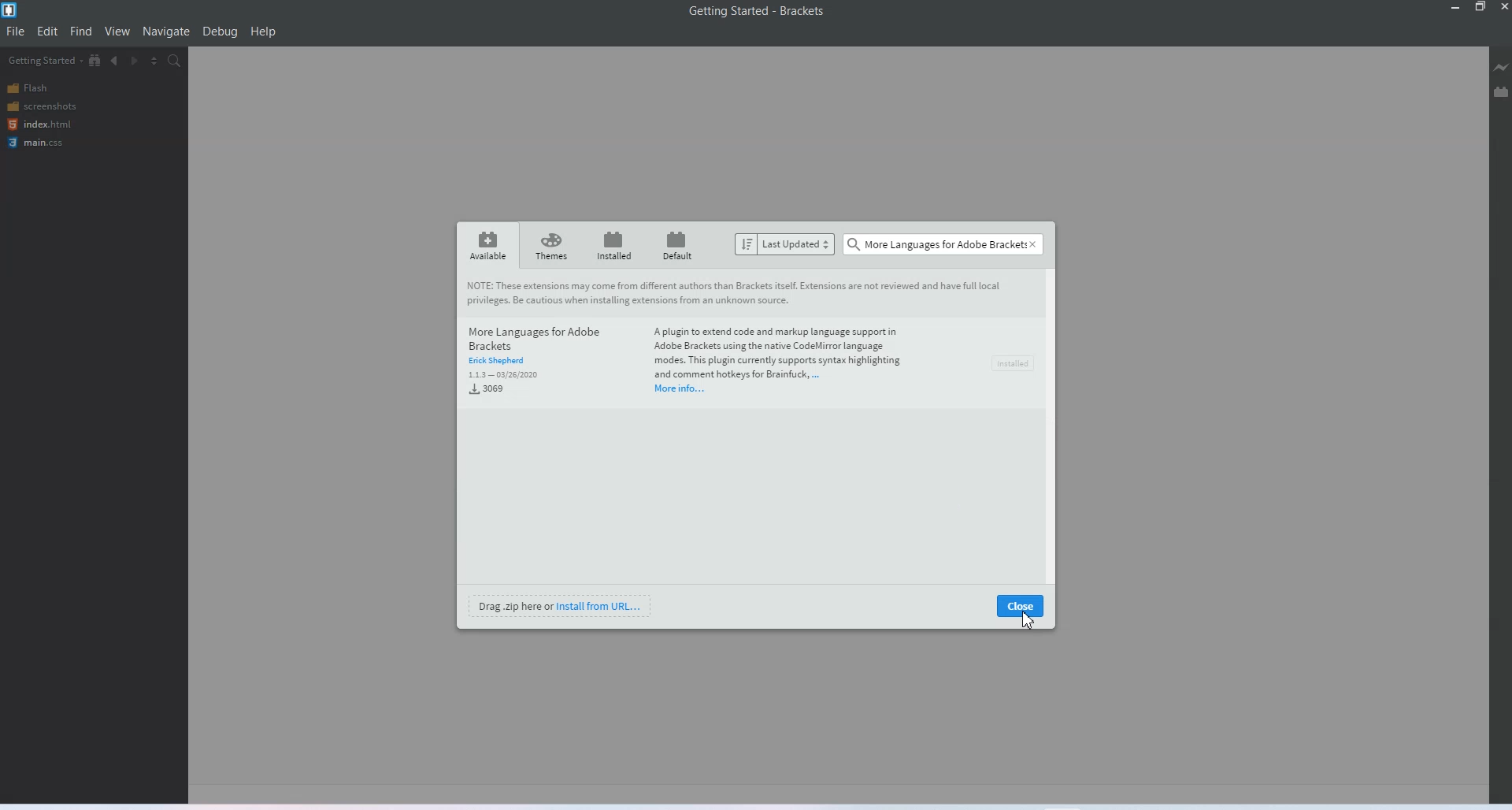 The height and width of the screenshot is (810, 1512). What do you see at coordinates (219, 32) in the screenshot?
I see `Debug` at bounding box center [219, 32].